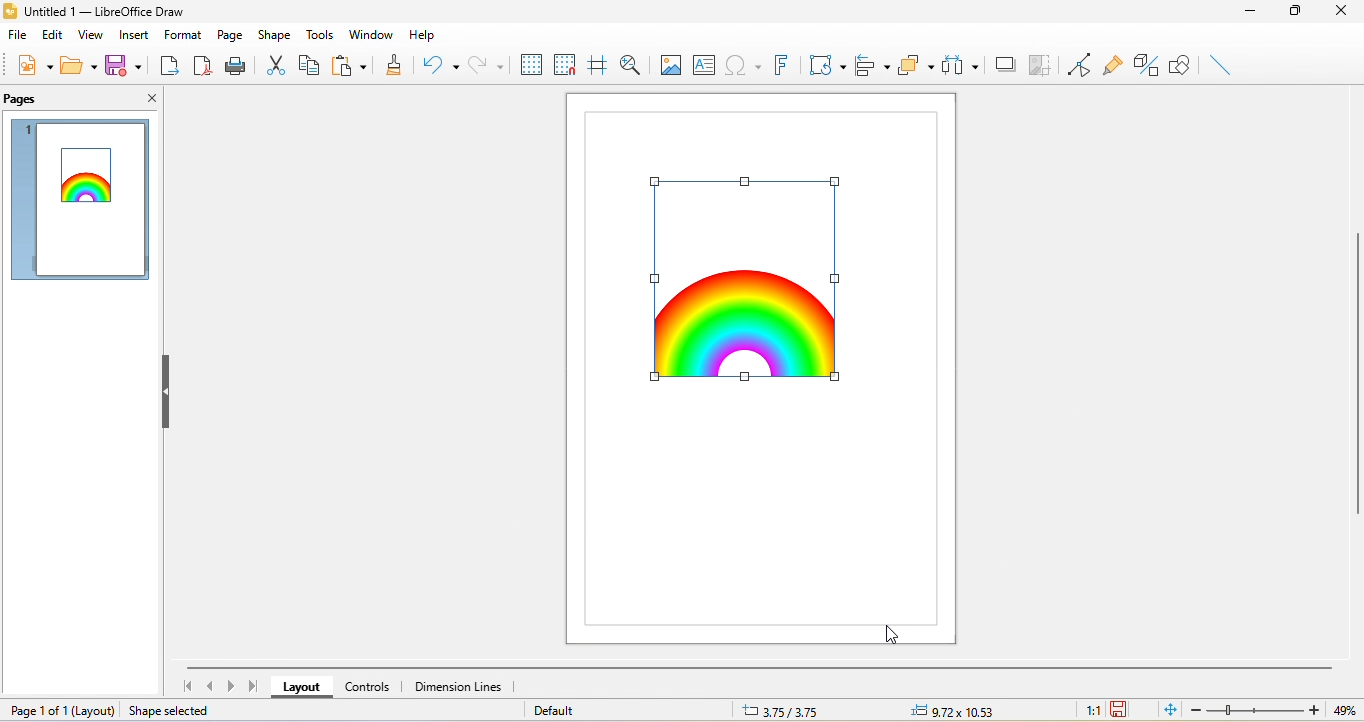 This screenshot has width=1364, height=722. Describe the element at coordinates (442, 65) in the screenshot. I see `undo` at that location.